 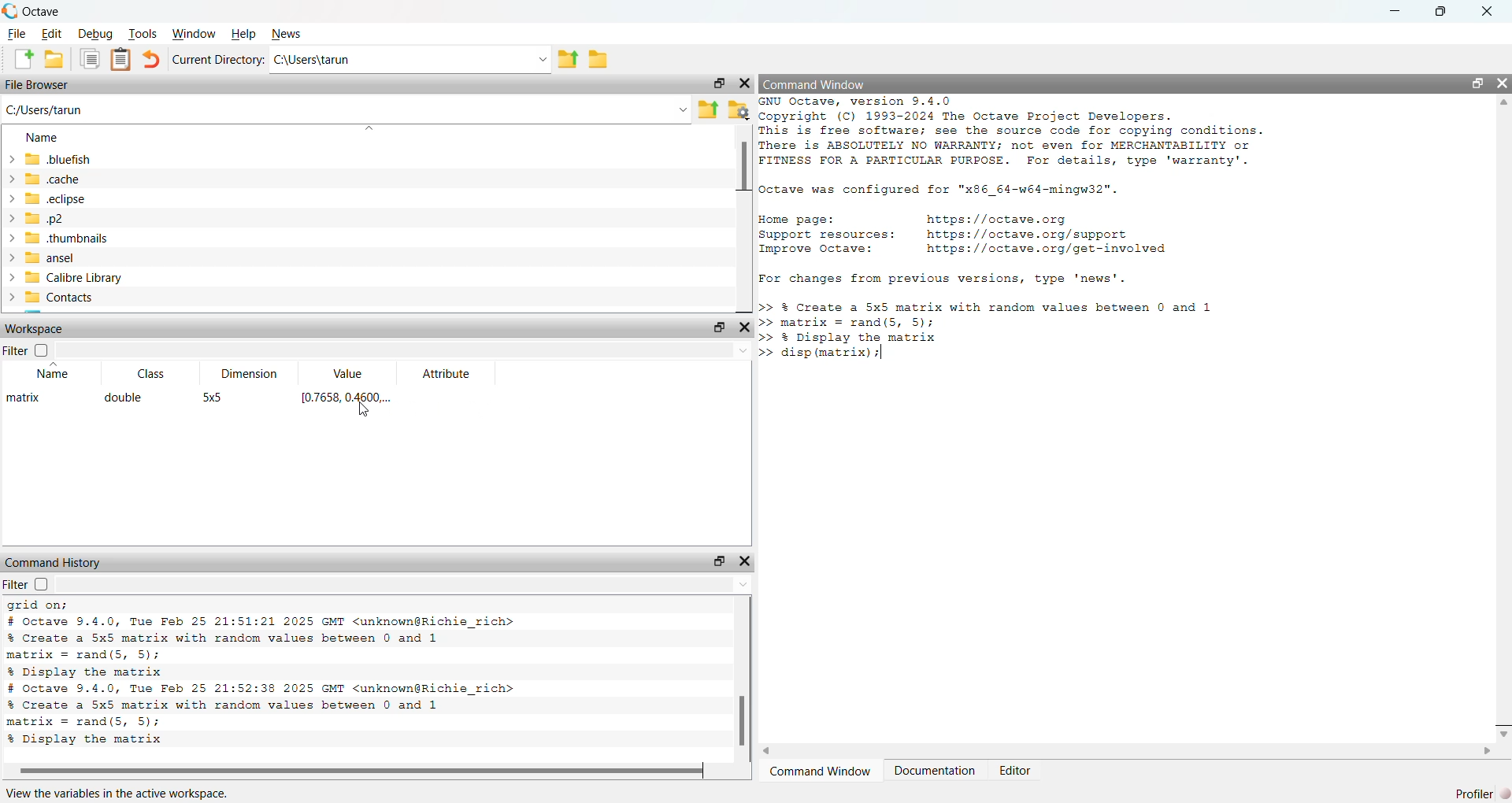 What do you see at coordinates (538, 58) in the screenshot?
I see `drop down` at bounding box center [538, 58].